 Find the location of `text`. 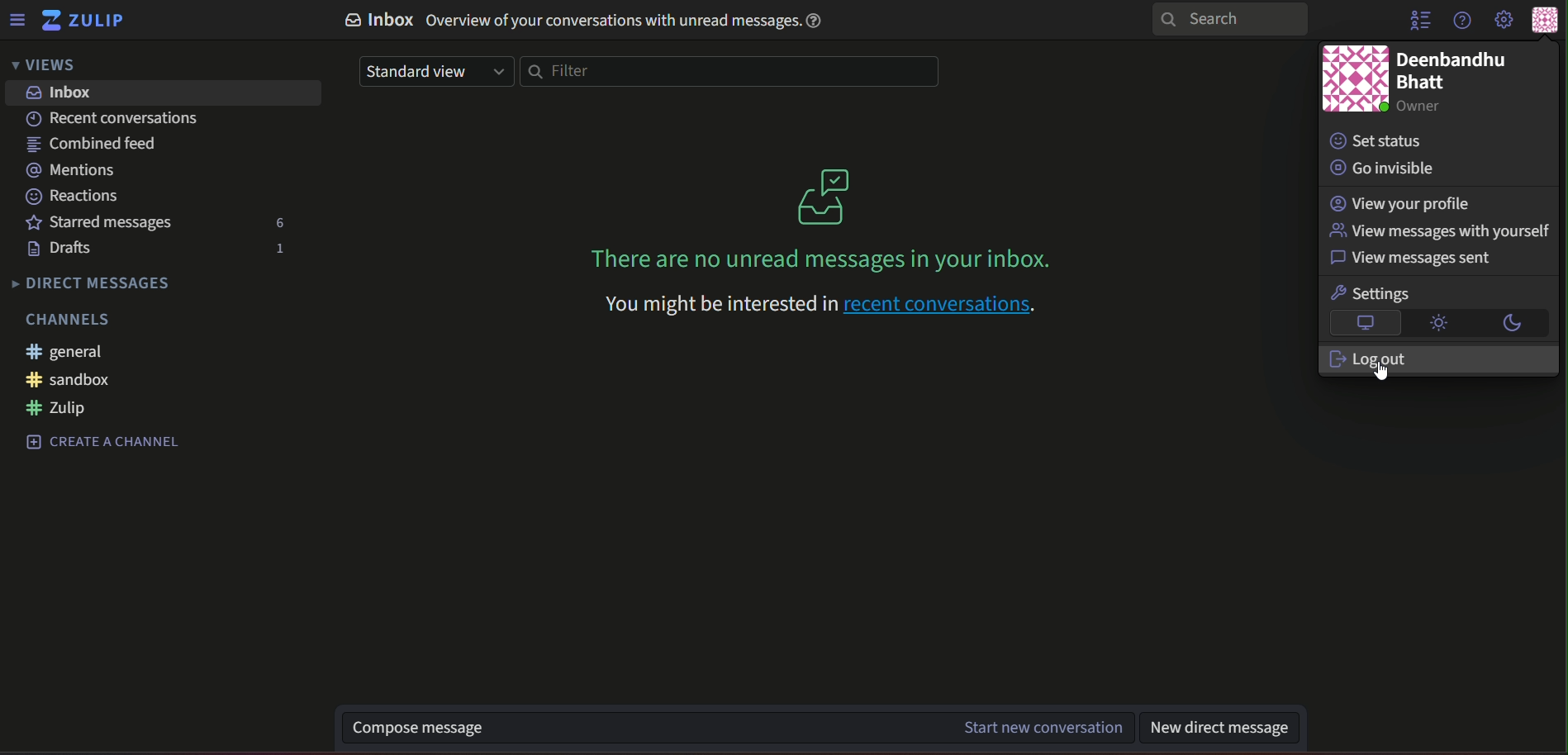

text is located at coordinates (580, 21).